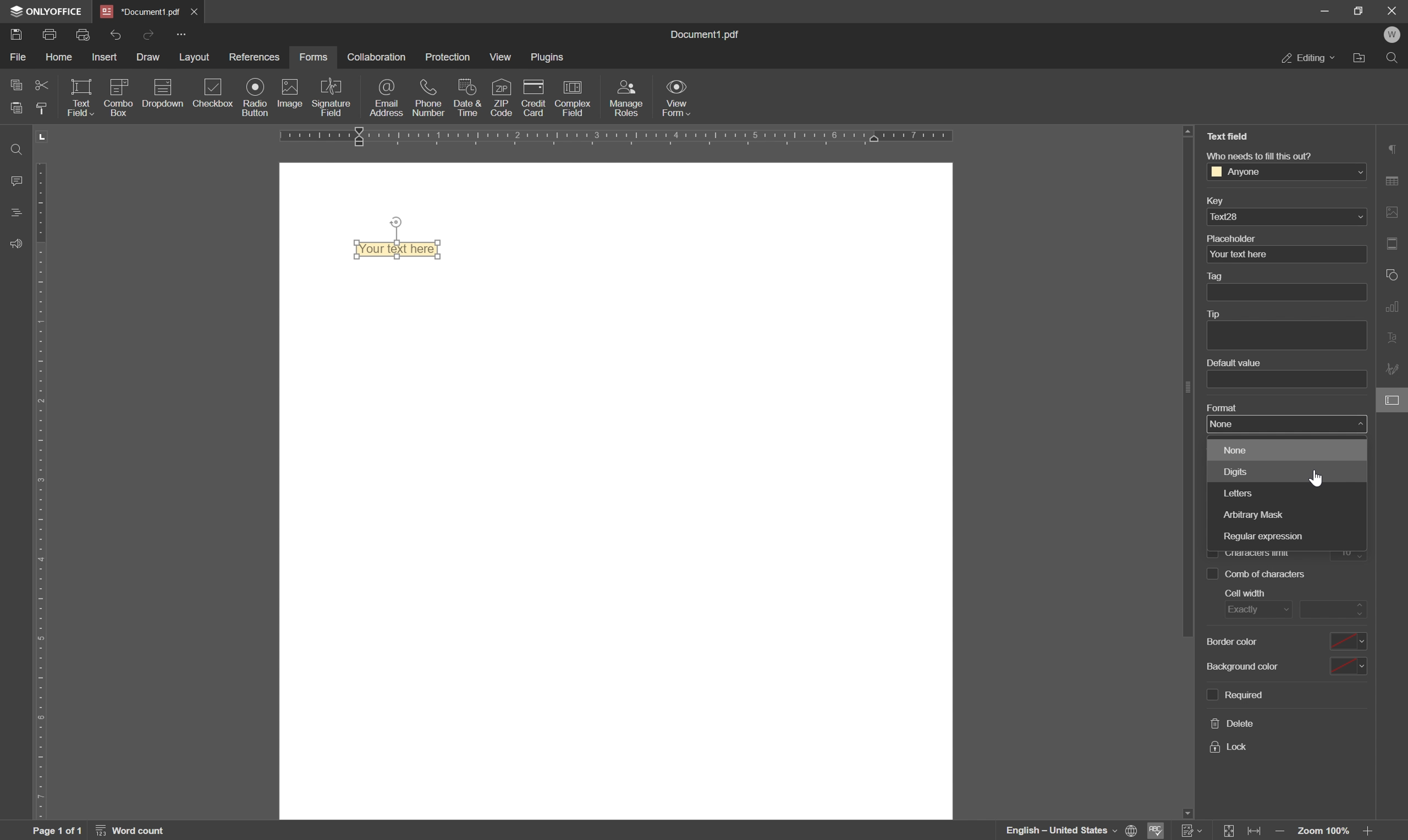  I want to click on editing, so click(1308, 59).